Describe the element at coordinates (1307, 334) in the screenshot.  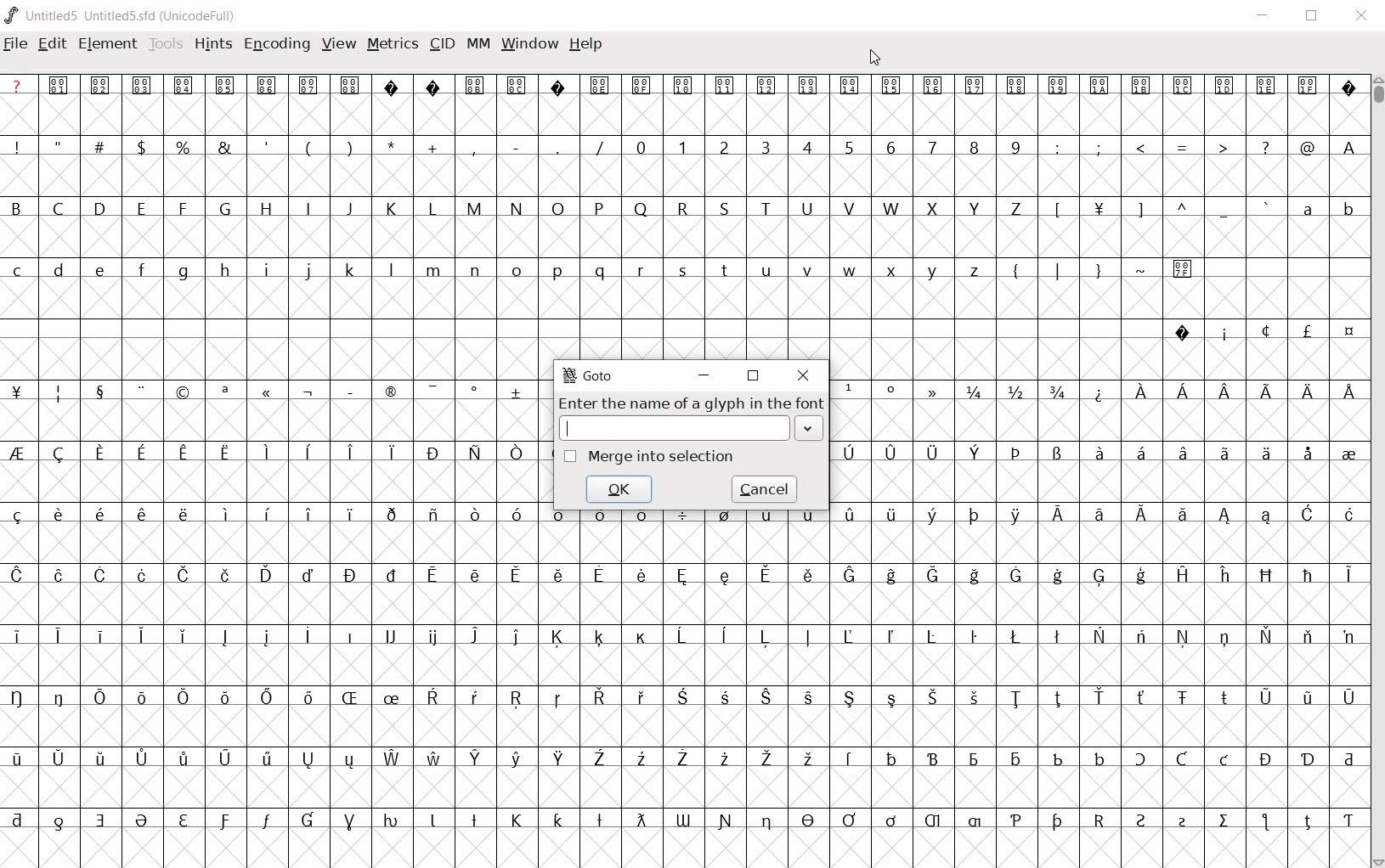
I see `Symbol` at that location.